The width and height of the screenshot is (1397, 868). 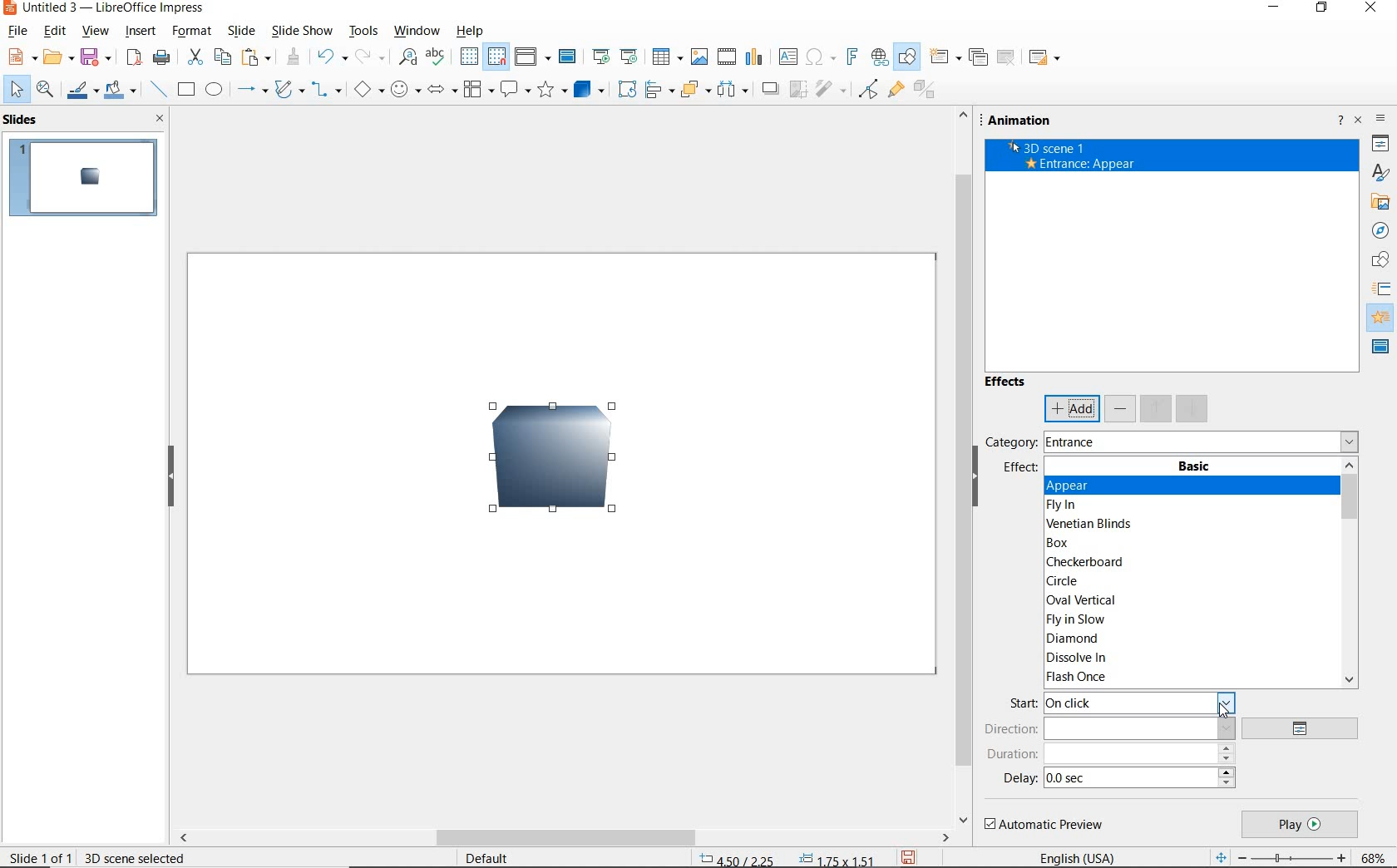 I want to click on clone formatting, so click(x=295, y=57).